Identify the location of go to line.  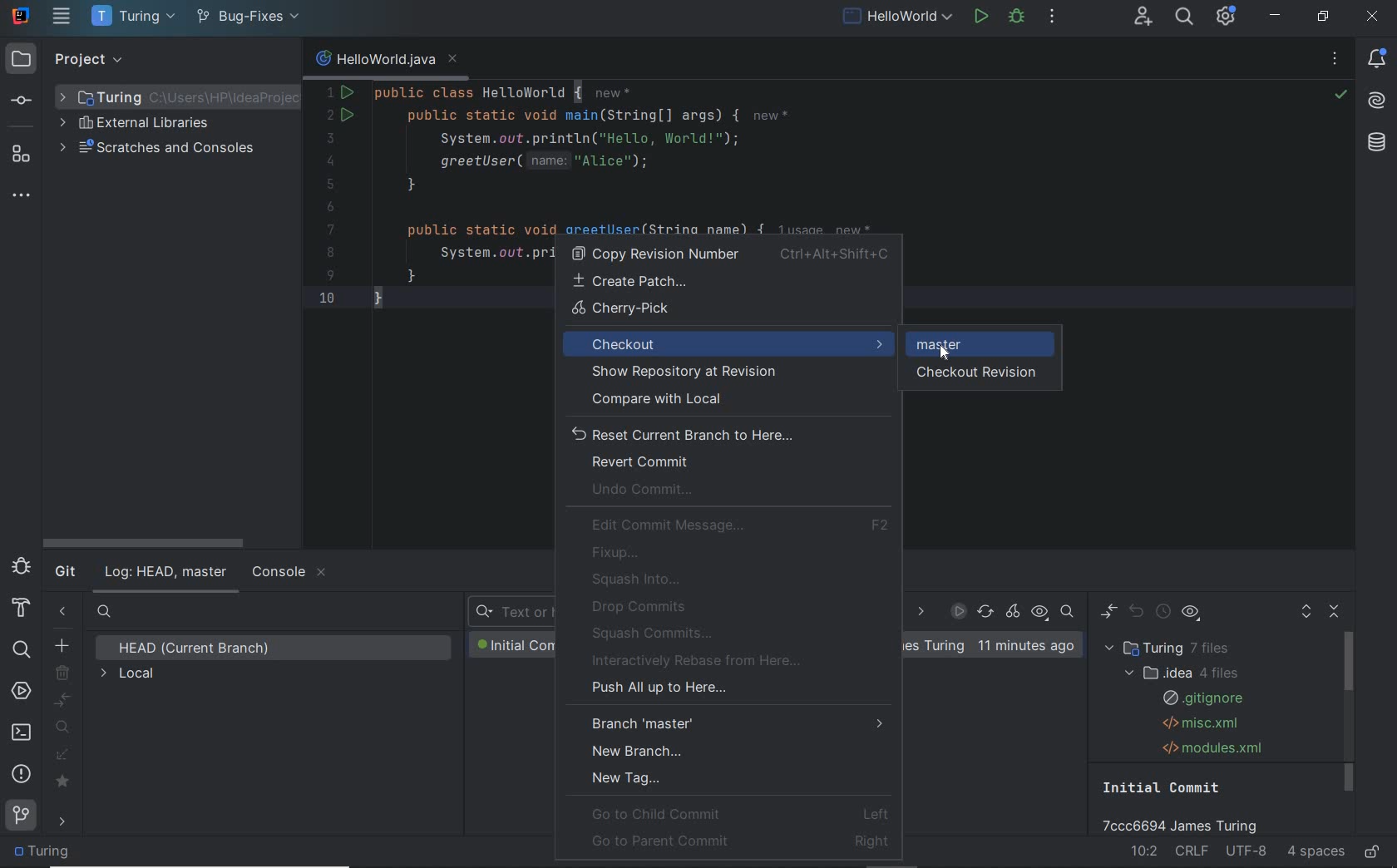
(1145, 850).